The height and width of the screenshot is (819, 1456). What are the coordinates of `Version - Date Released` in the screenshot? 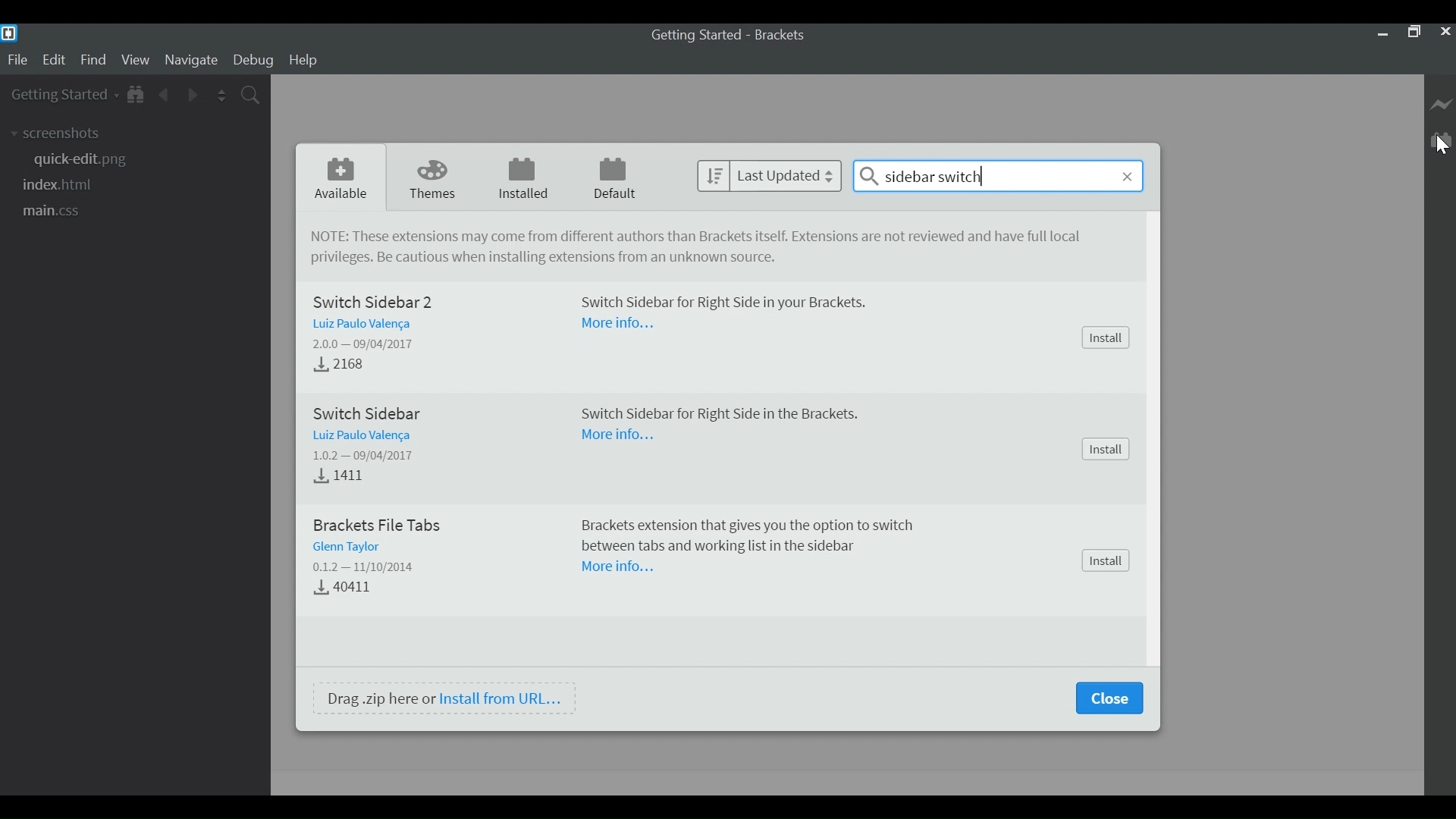 It's located at (368, 567).